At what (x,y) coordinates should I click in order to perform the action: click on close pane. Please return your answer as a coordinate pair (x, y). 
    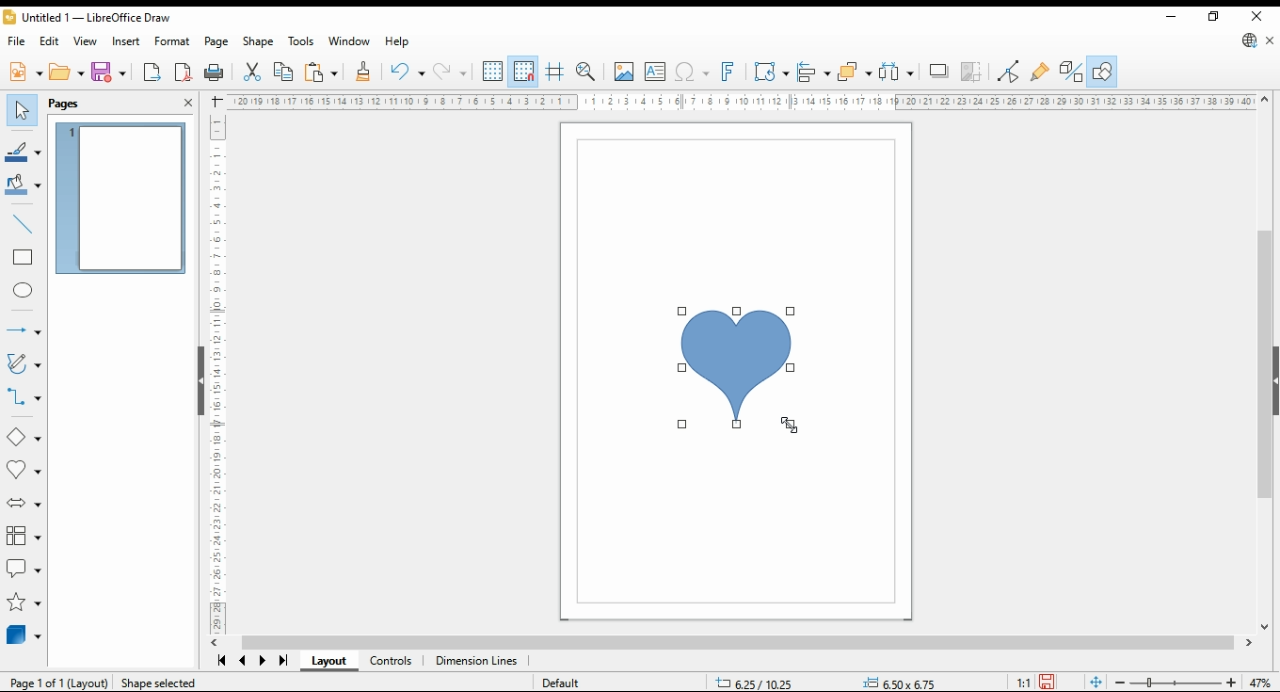
    Looking at the image, I should click on (189, 103).